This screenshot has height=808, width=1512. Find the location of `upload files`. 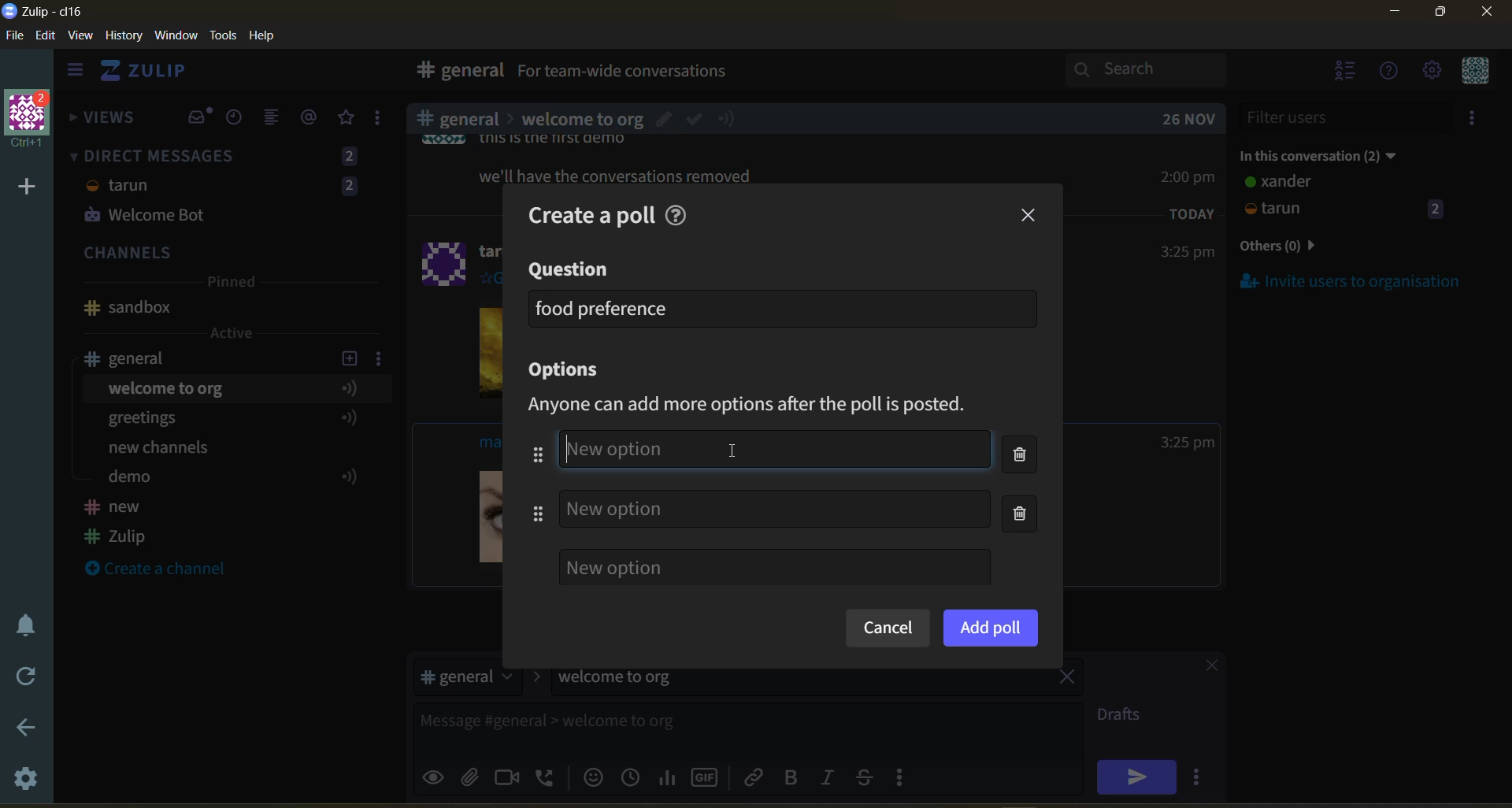

upload files is located at coordinates (475, 775).